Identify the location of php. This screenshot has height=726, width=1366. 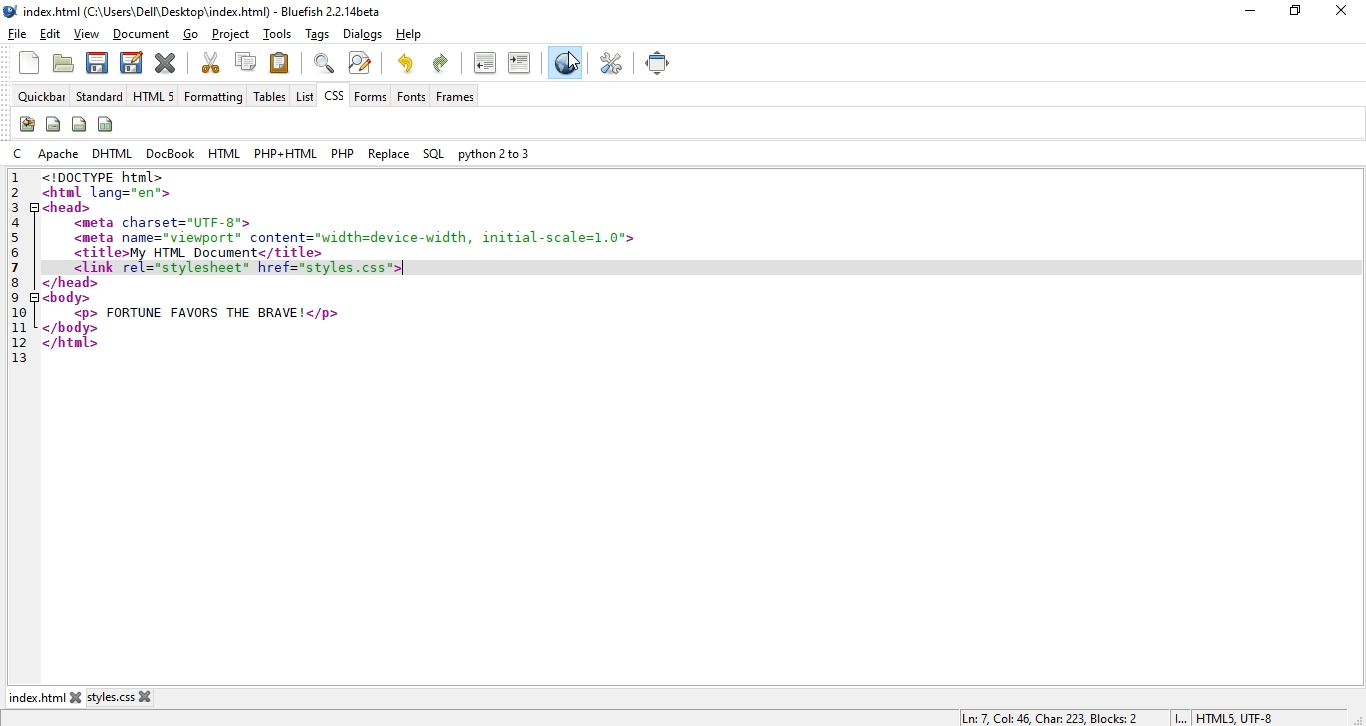
(341, 153).